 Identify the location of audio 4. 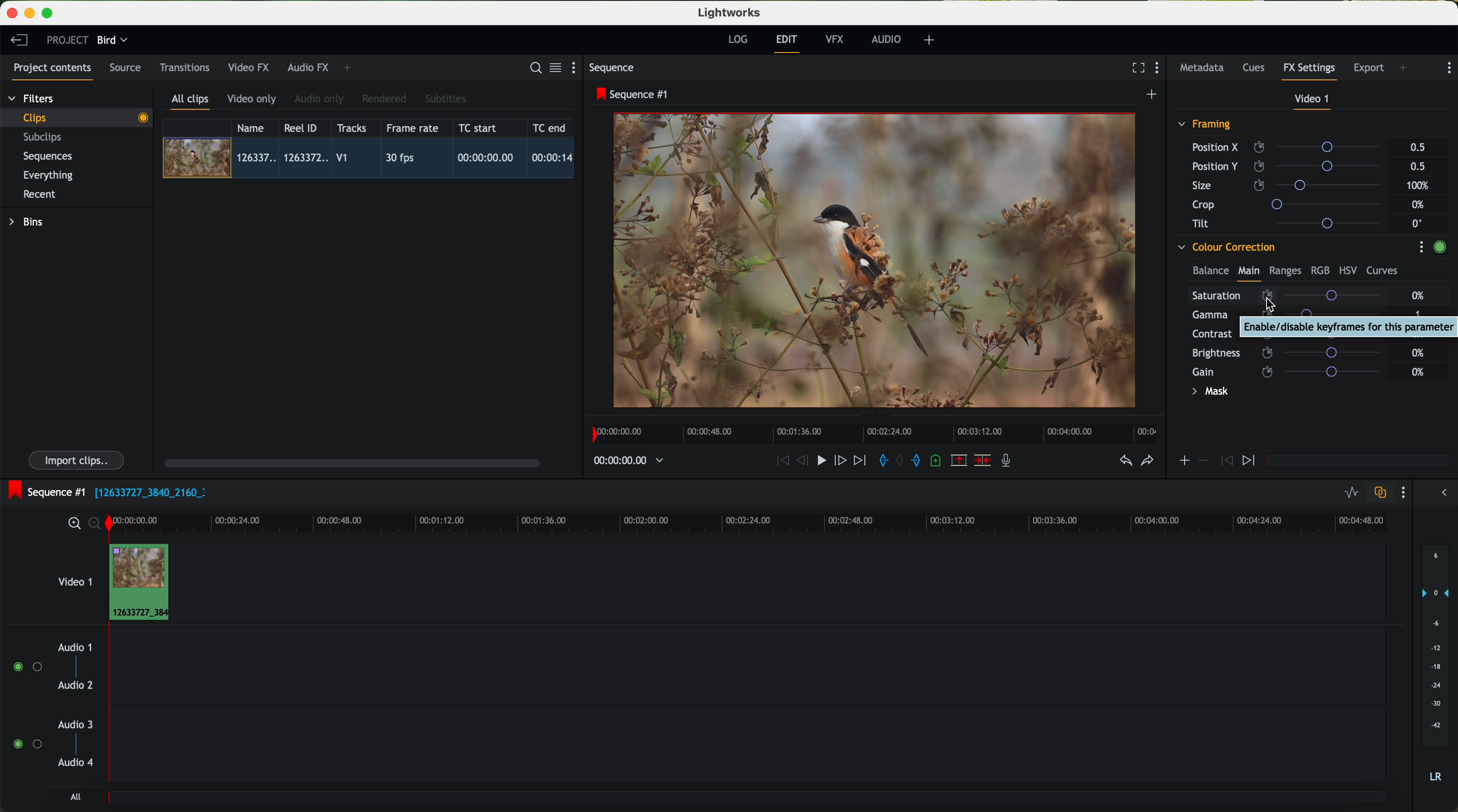
(76, 763).